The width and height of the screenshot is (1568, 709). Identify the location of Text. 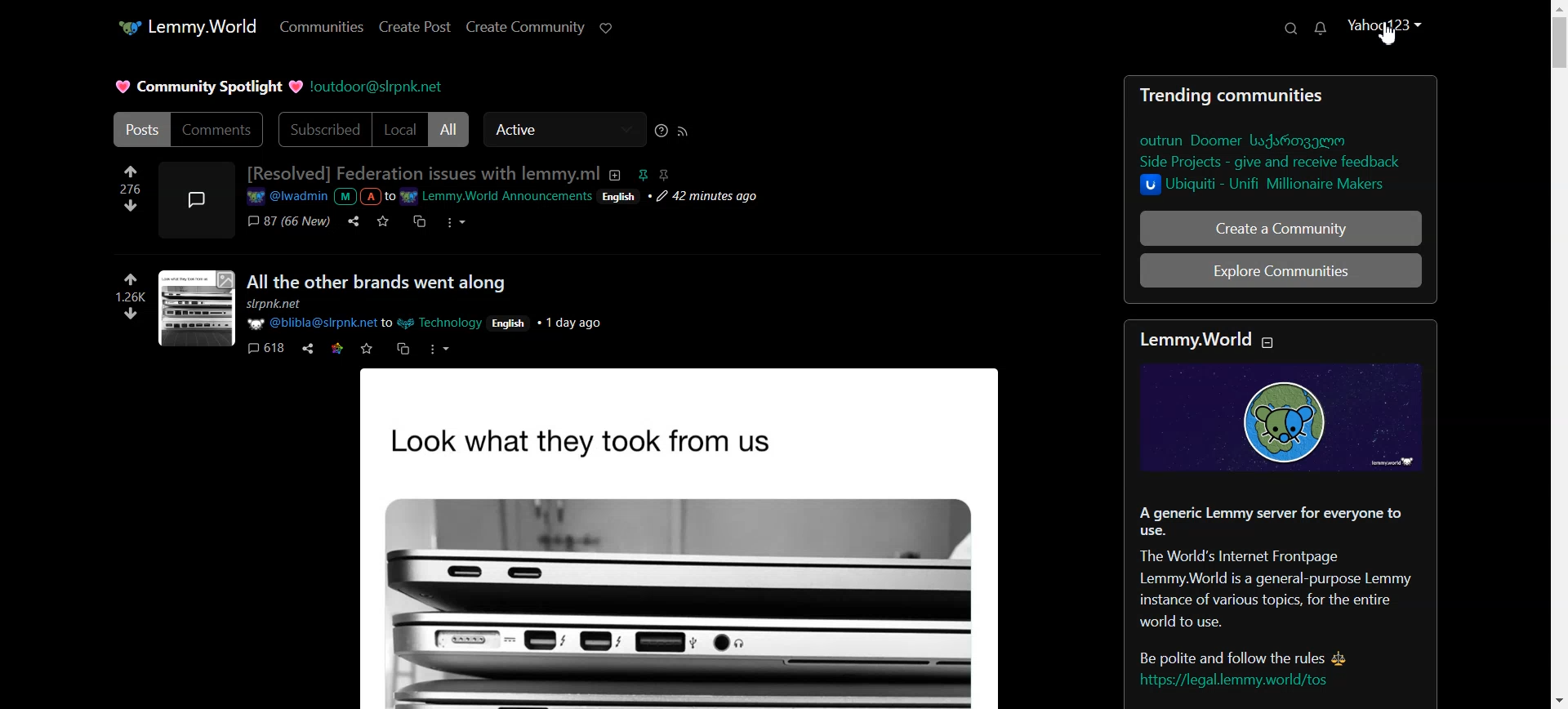
(1281, 140).